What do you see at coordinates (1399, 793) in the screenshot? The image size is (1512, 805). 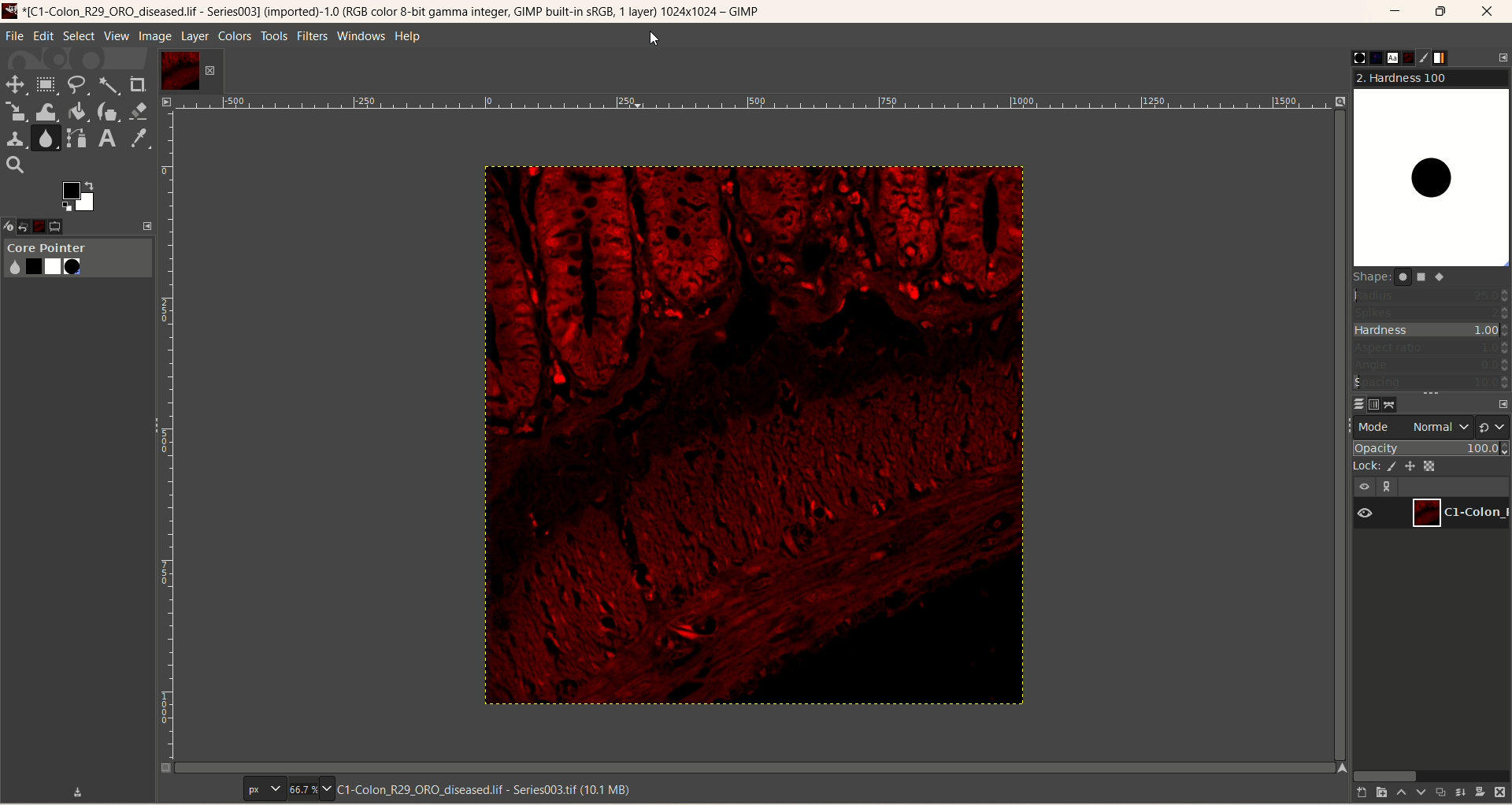 I see `raise this layer one step` at bounding box center [1399, 793].